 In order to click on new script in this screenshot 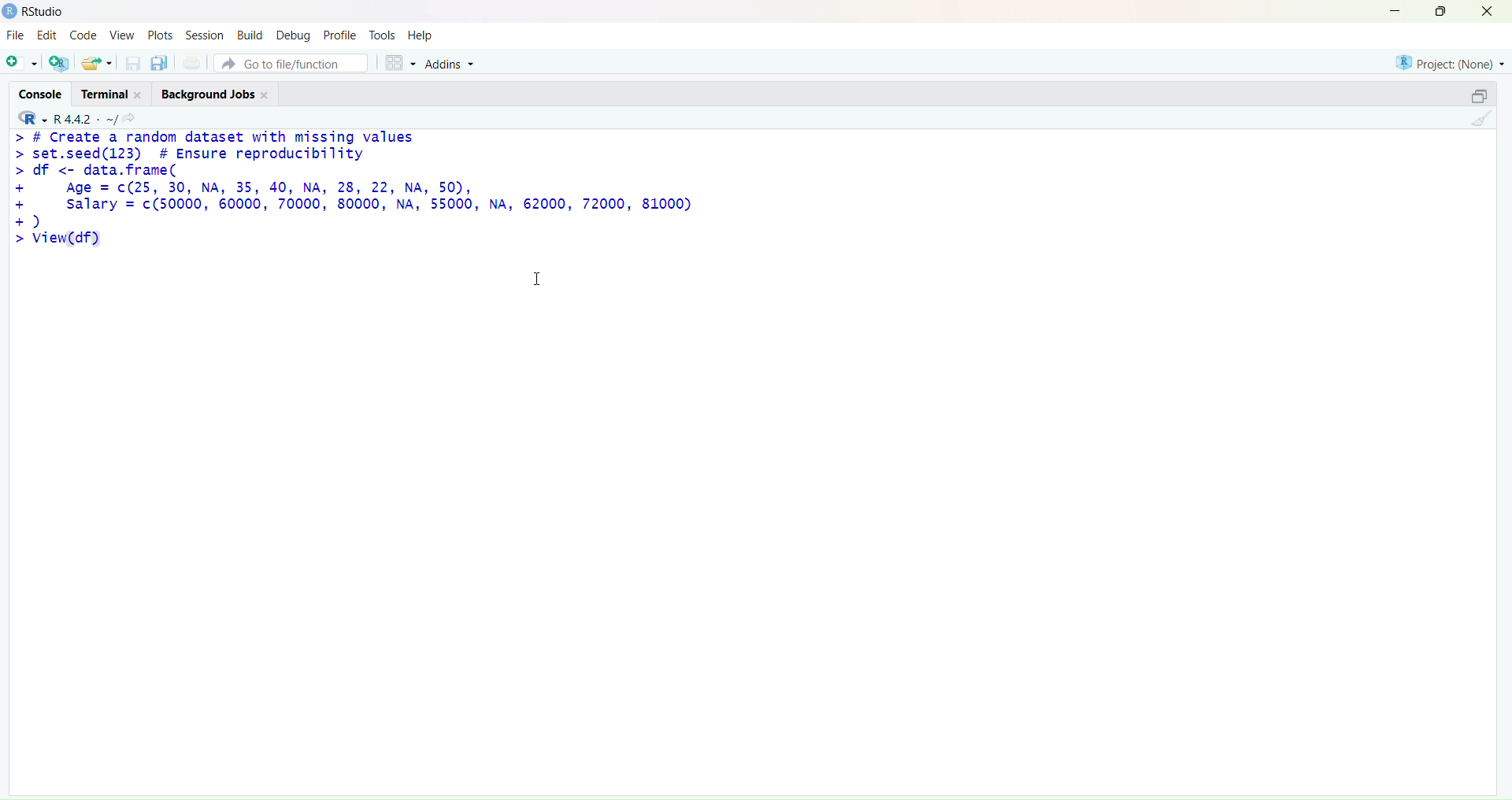, I will do `click(20, 65)`.